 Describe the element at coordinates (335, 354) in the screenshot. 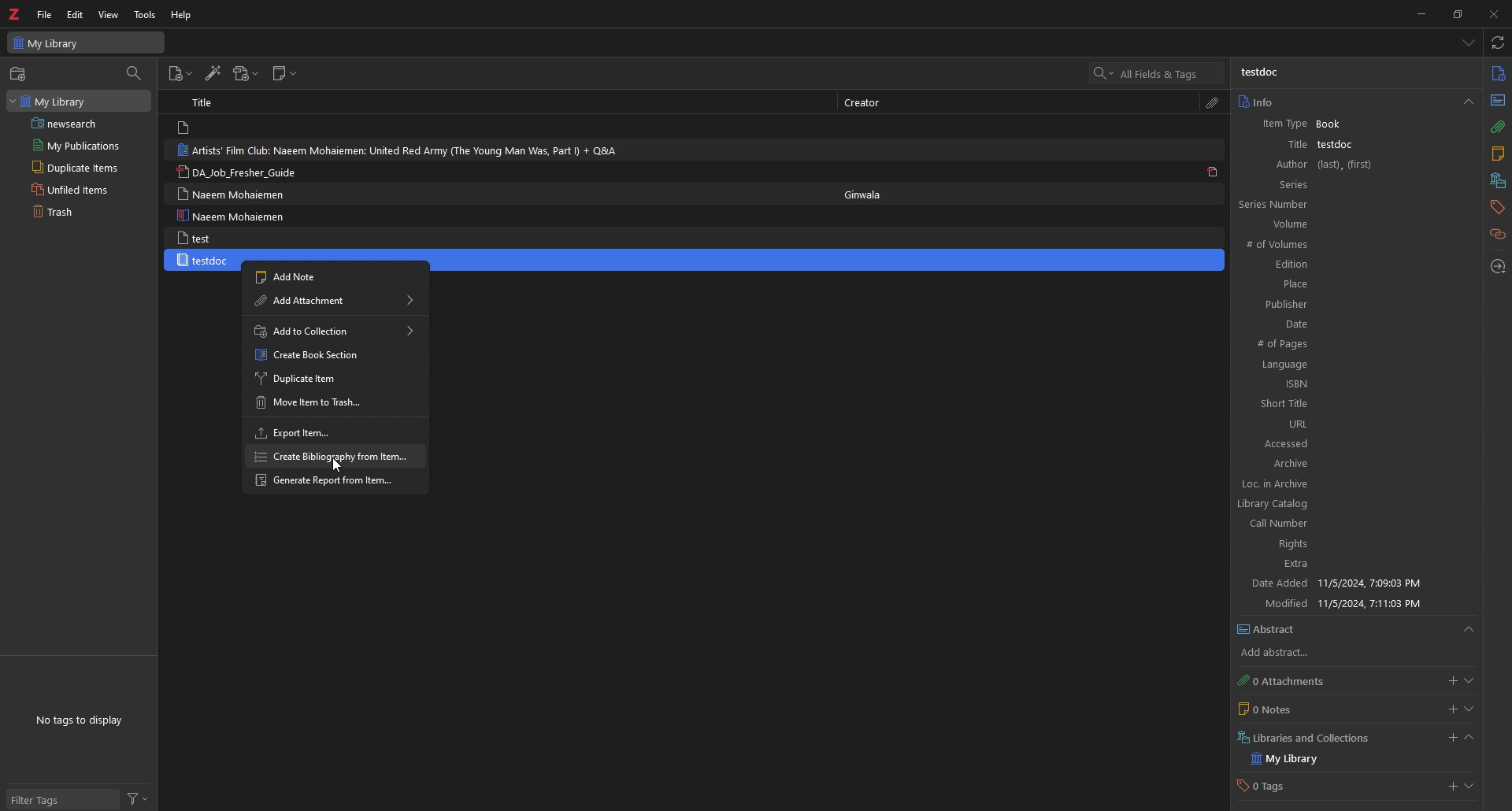

I see `create book section` at that location.